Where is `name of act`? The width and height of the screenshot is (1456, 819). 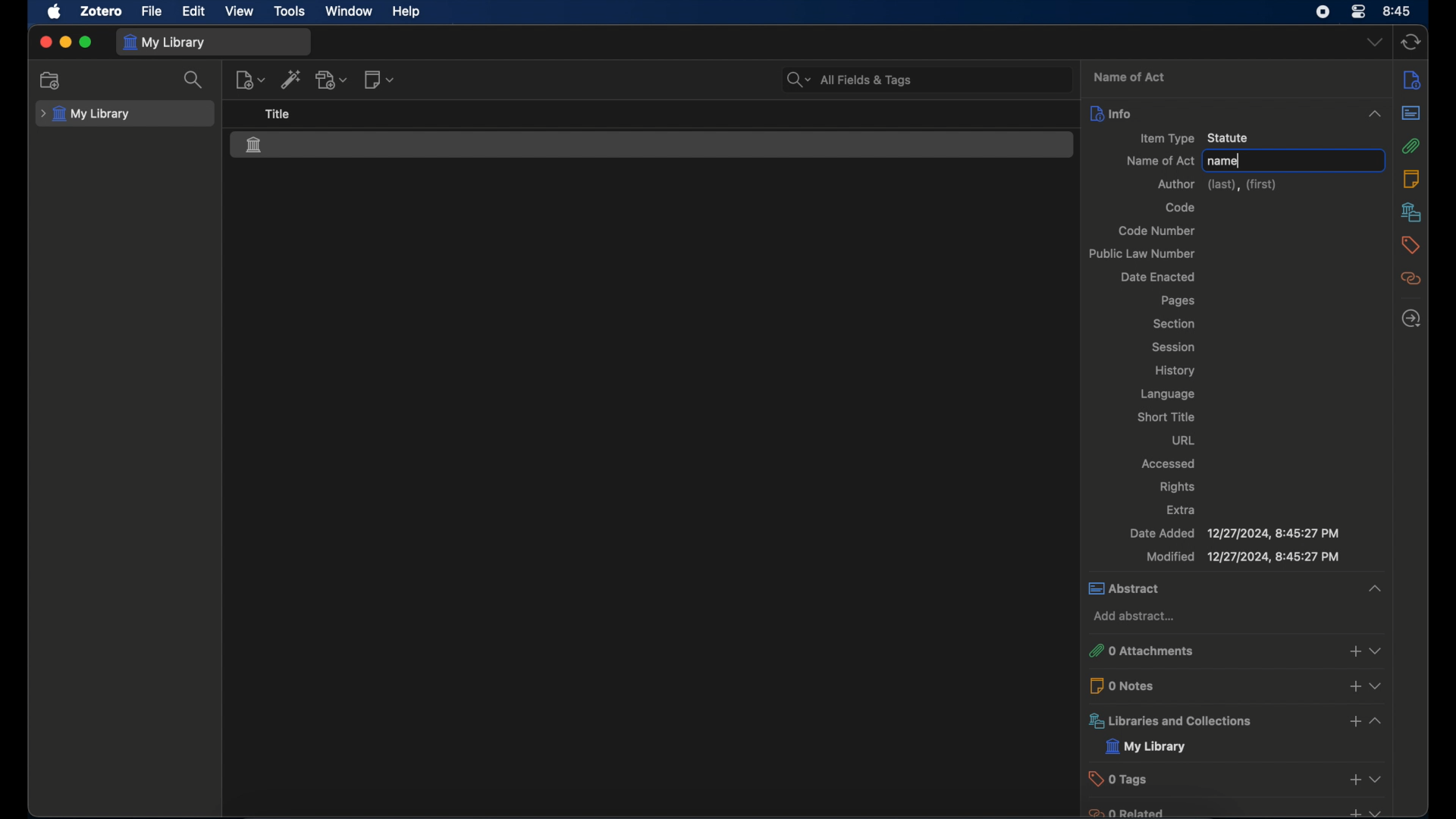
name of act is located at coordinates (1129, 77).